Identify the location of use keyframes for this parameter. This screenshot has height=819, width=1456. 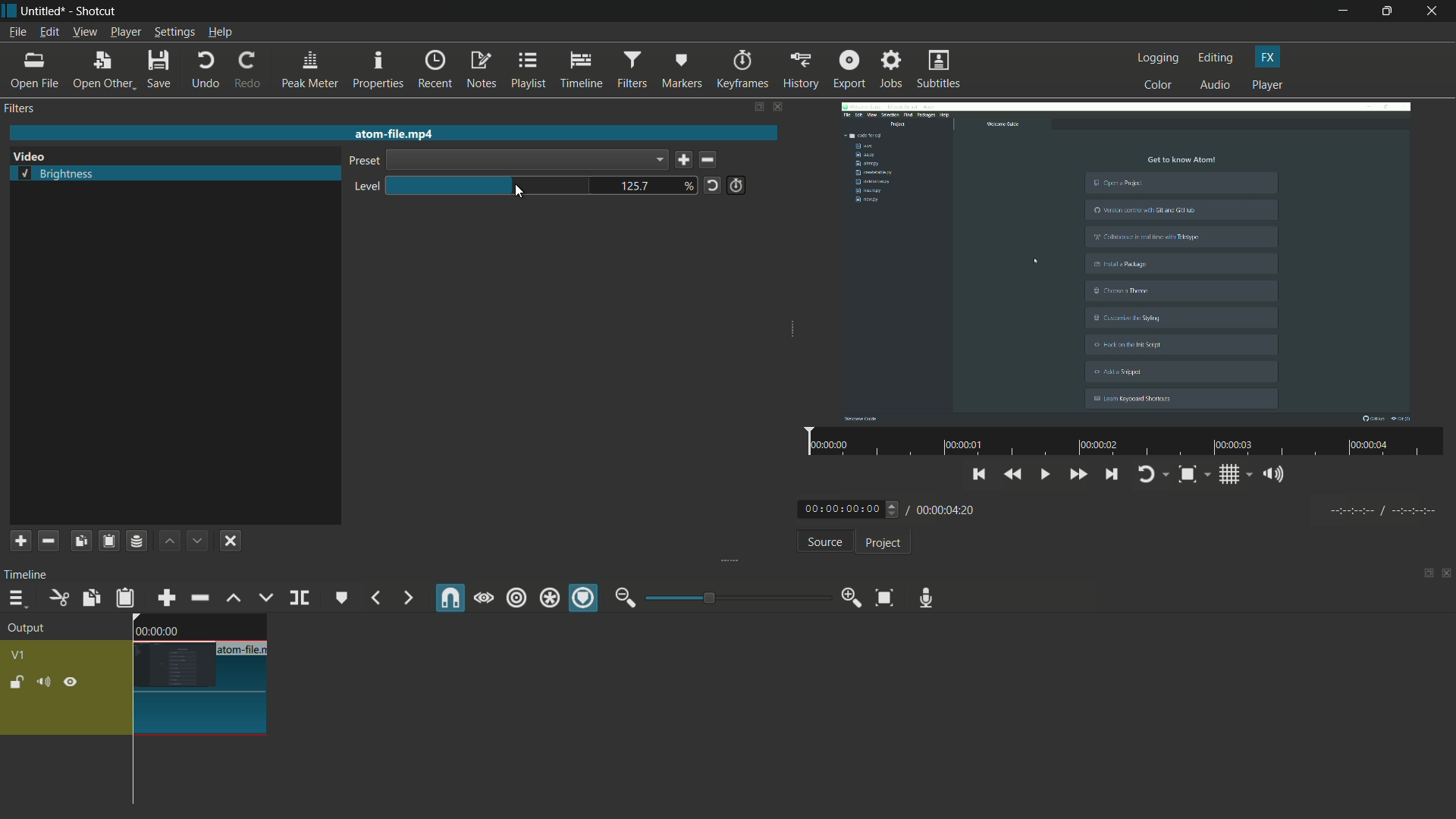
(736, 185).